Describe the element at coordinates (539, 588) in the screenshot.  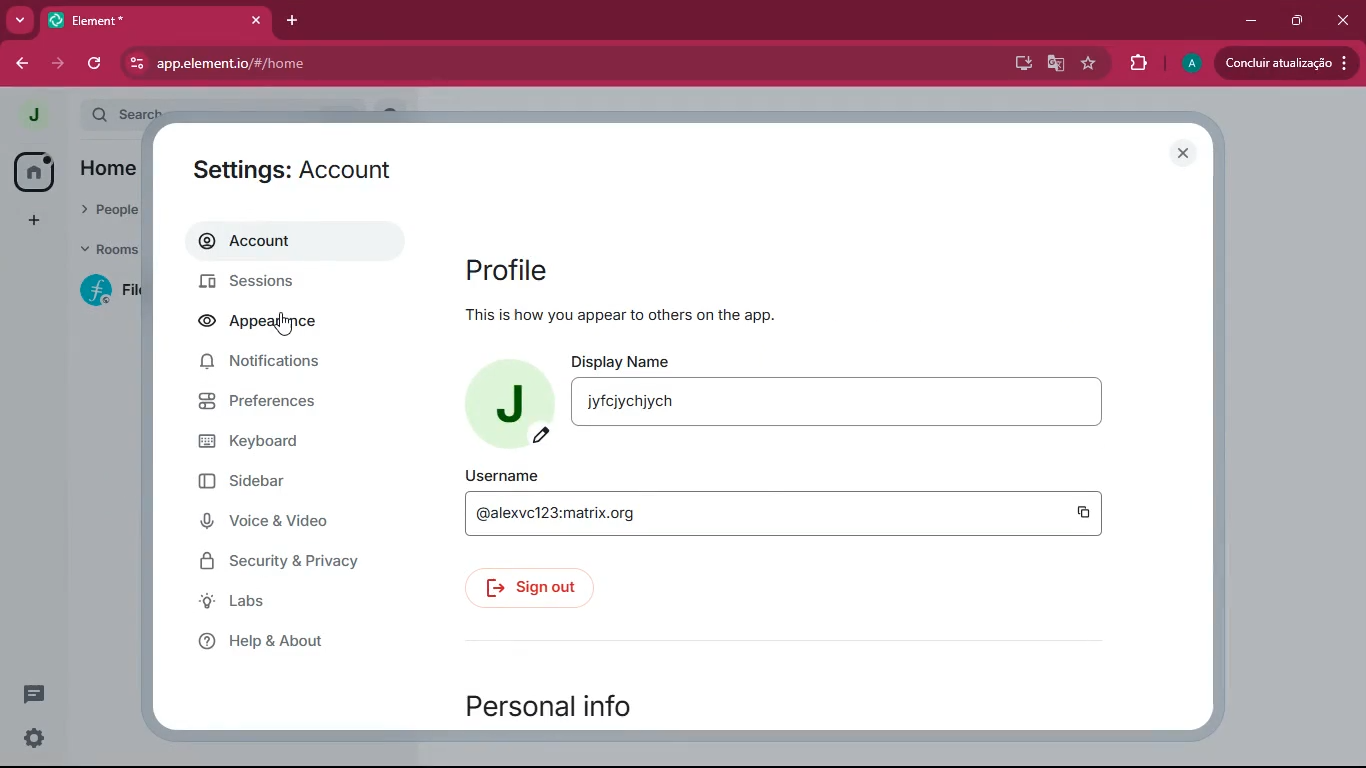
I see `sign out` at that location.